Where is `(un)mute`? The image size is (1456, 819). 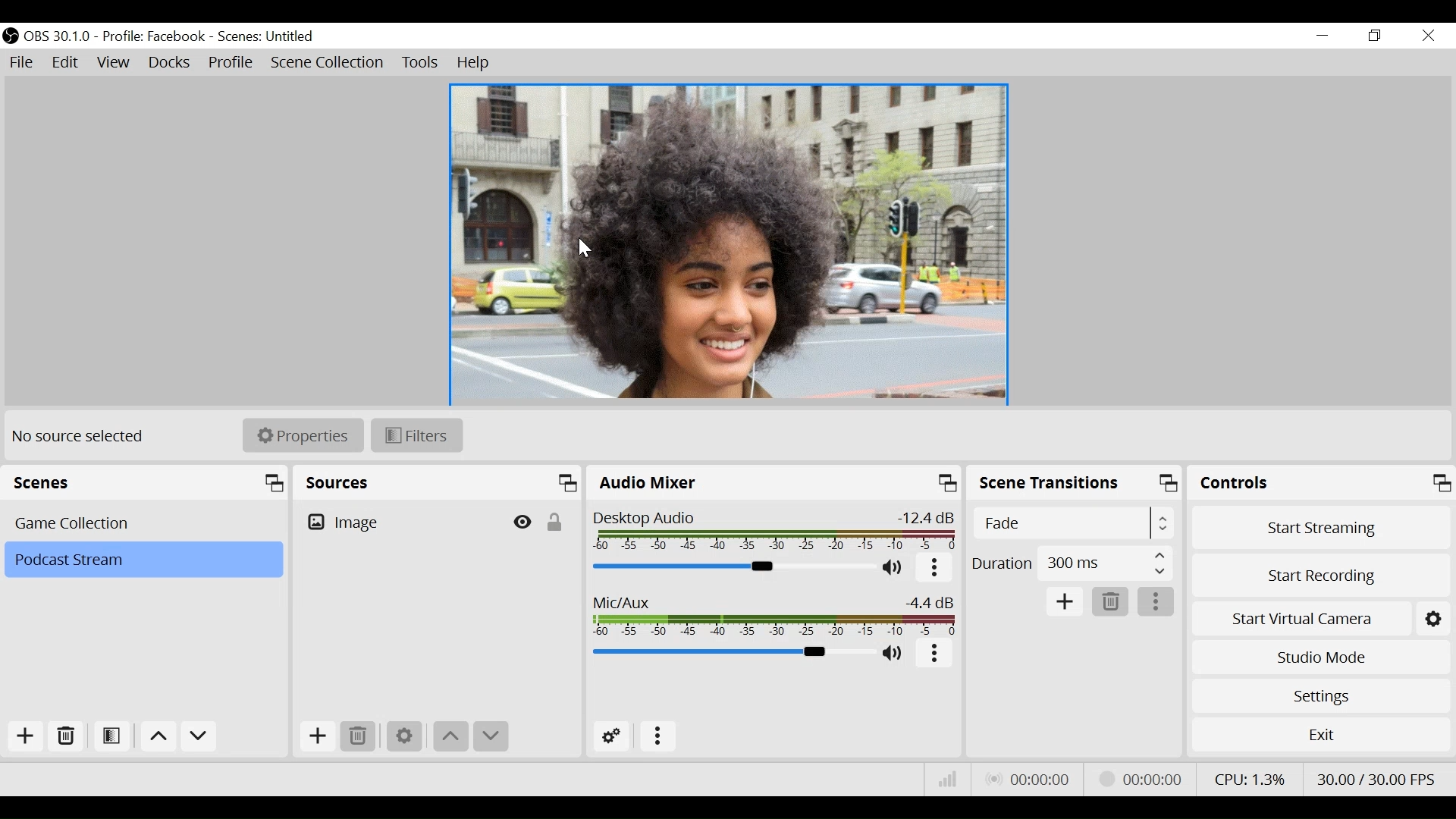
(un)mute is located at coordinates (894, 568).